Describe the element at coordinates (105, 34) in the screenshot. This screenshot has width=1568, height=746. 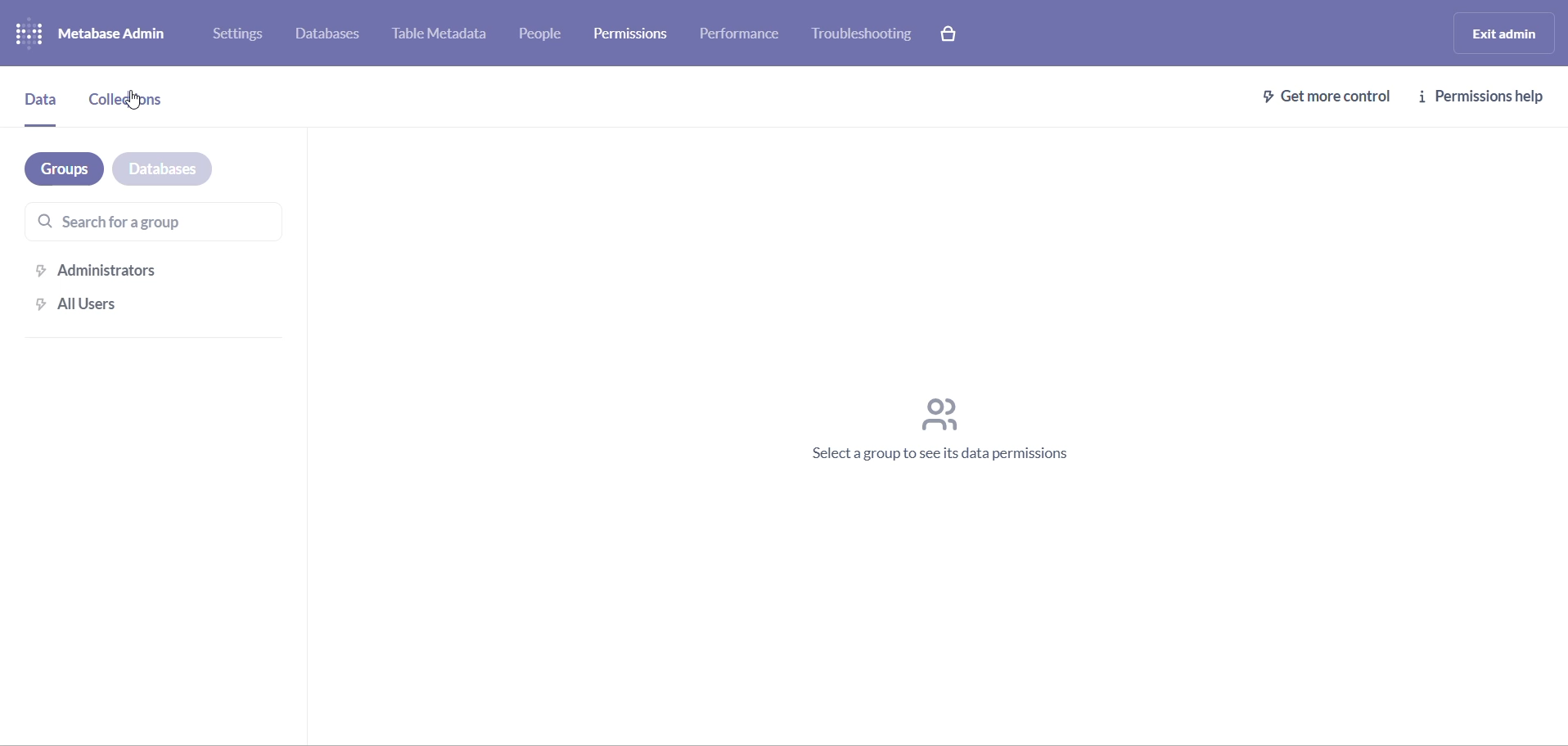
I see `logo and name` at that location.